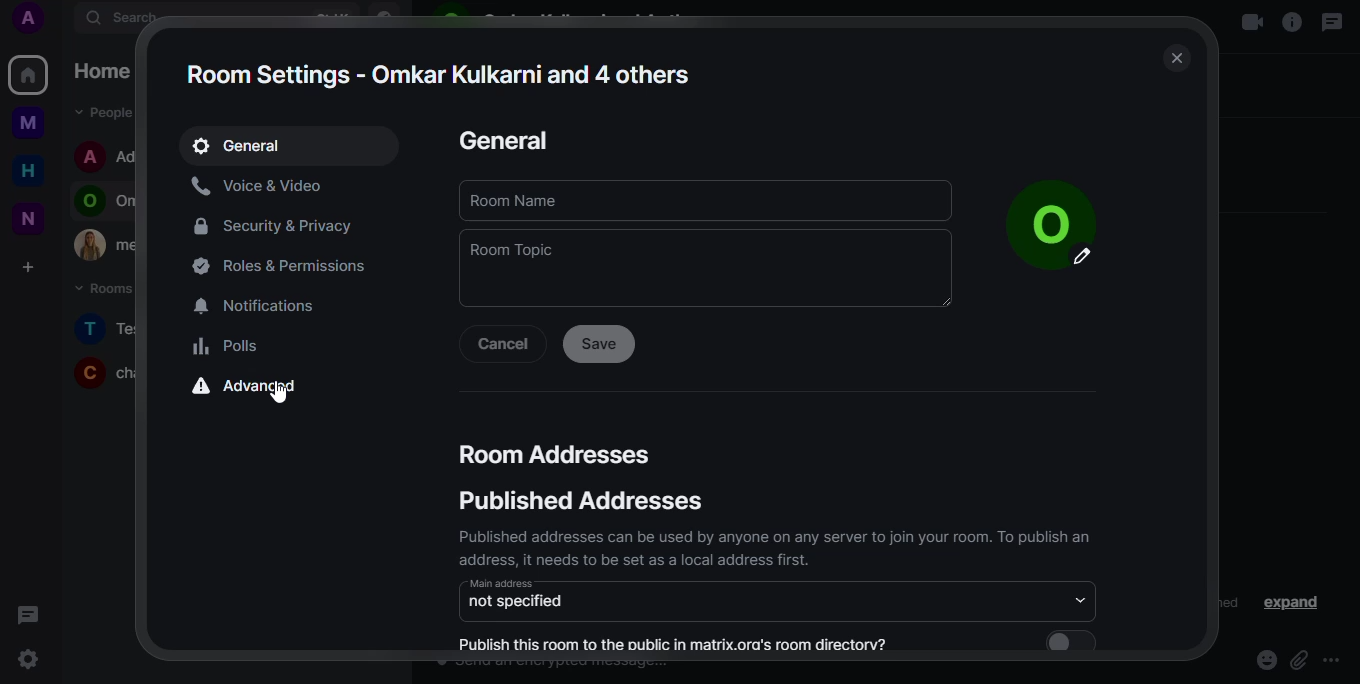  I want to click on info, so click(1289, 24).